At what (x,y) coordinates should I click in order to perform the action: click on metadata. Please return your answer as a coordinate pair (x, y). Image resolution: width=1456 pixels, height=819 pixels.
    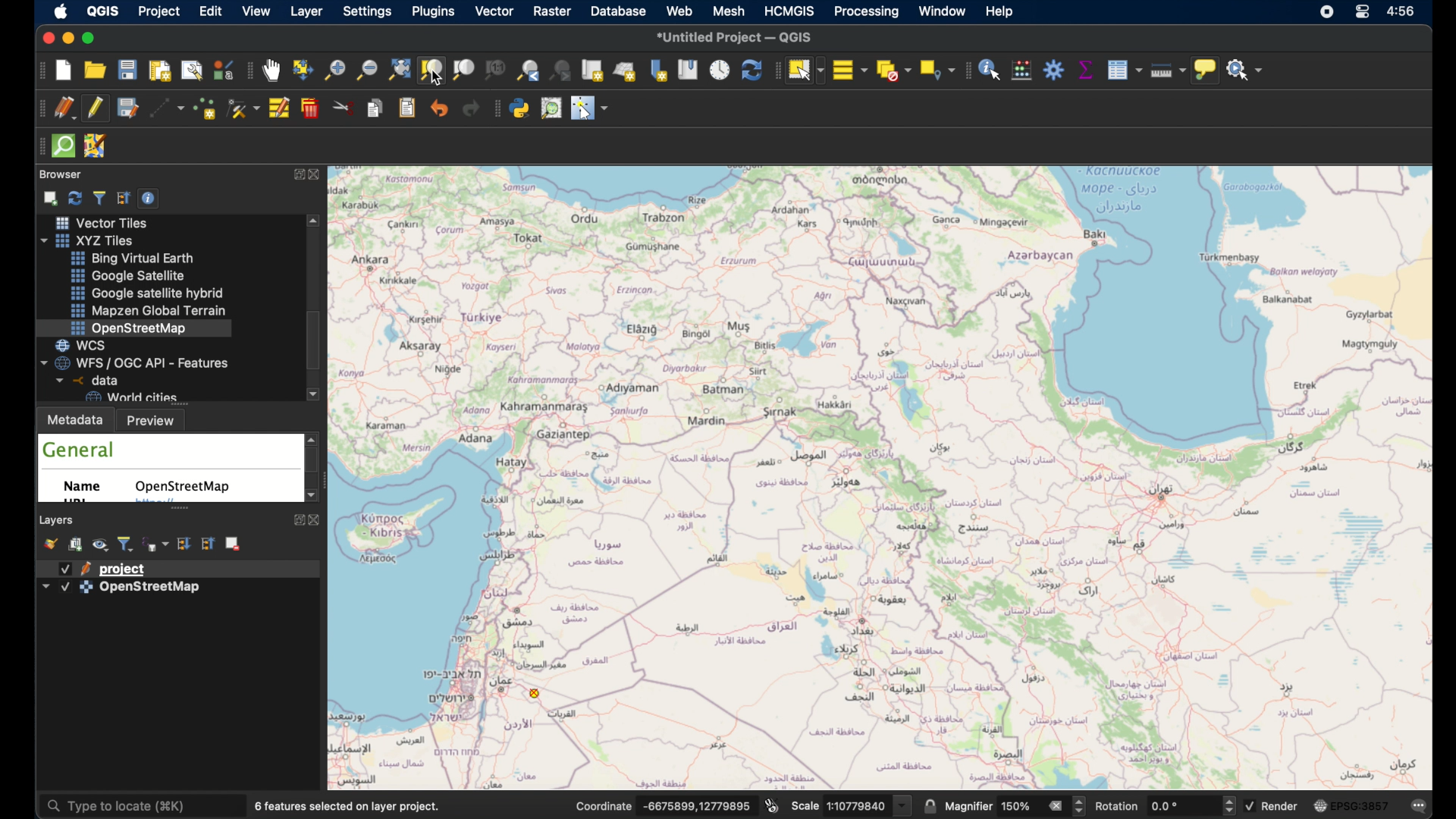
    Looking at the image, I should click on (76, 419).